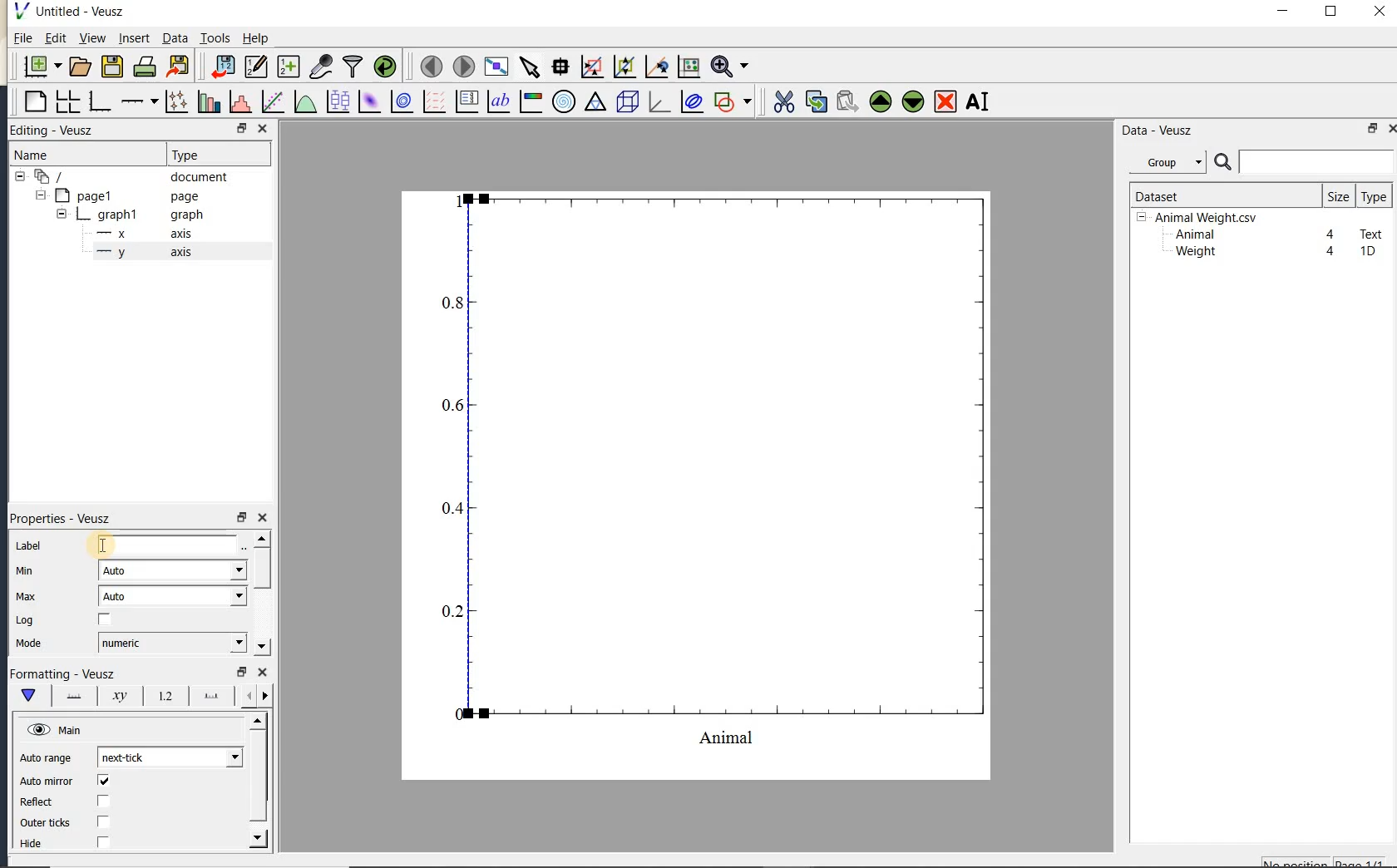  I want to click on click to zoom out of graph axes, so click(625, 66).